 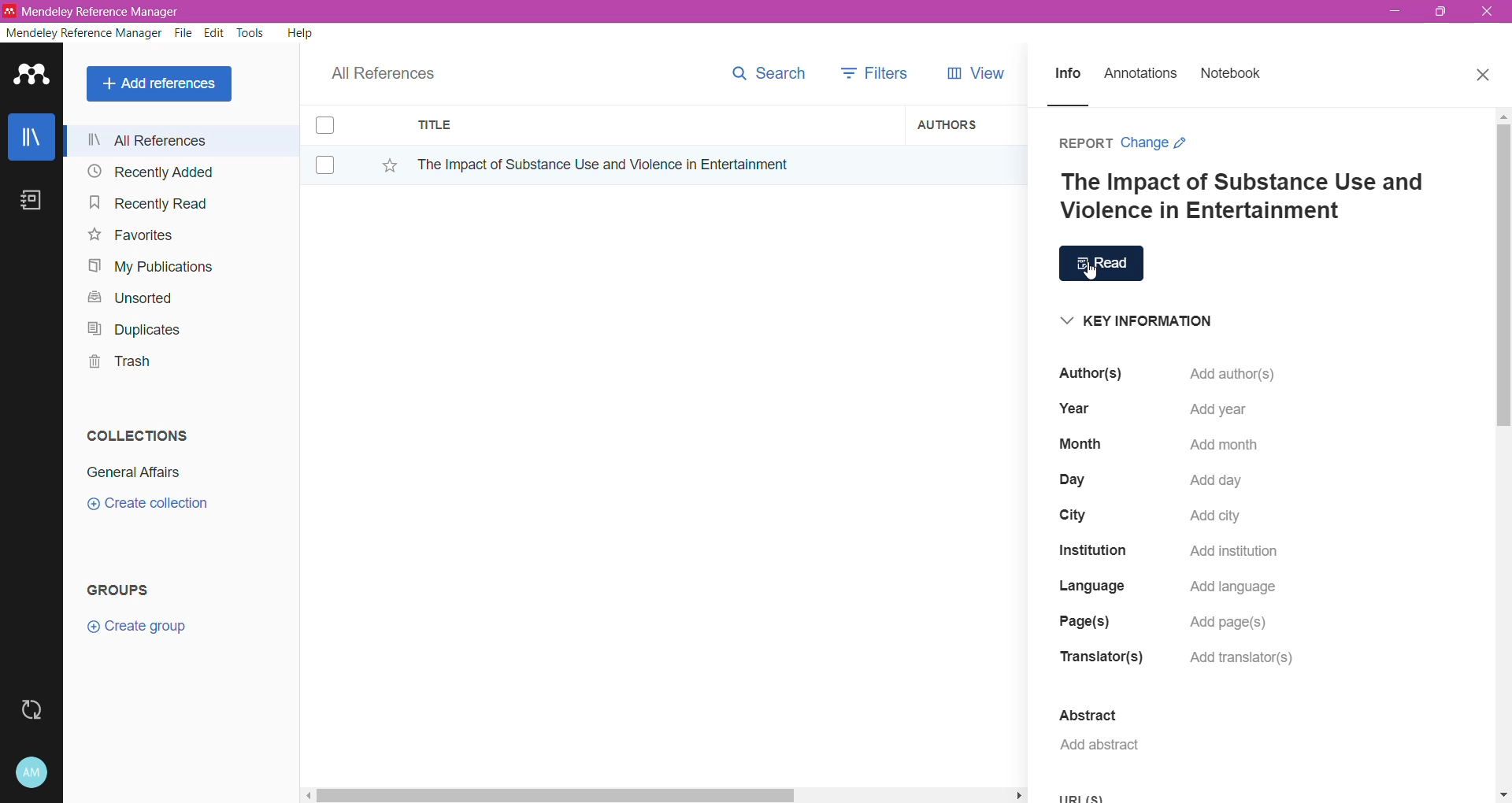 I want to click on Click to Add Institution, so click(x=1232, y=552).